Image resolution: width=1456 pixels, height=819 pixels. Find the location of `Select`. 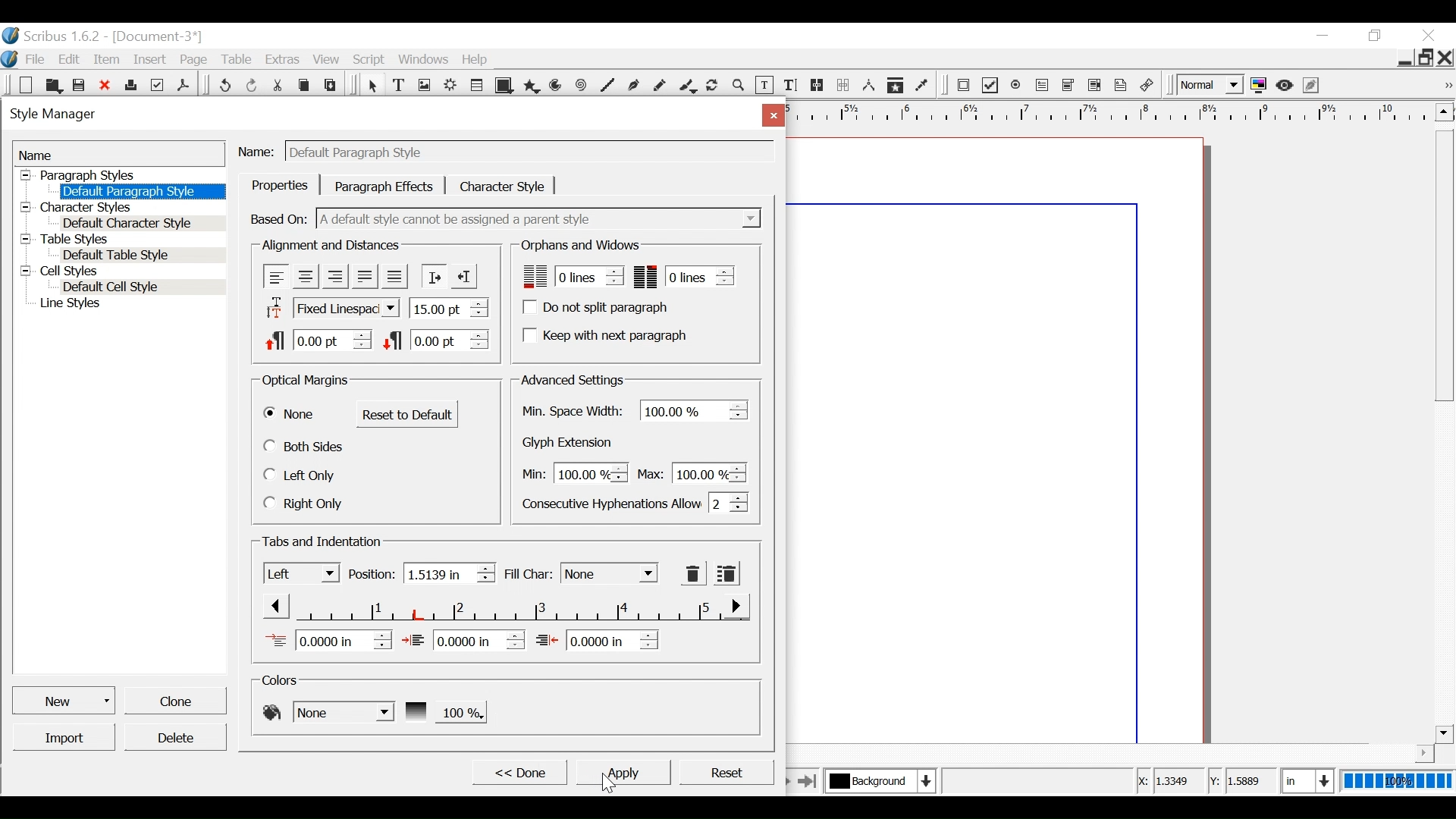

Select is located at coordinates (609, 573).